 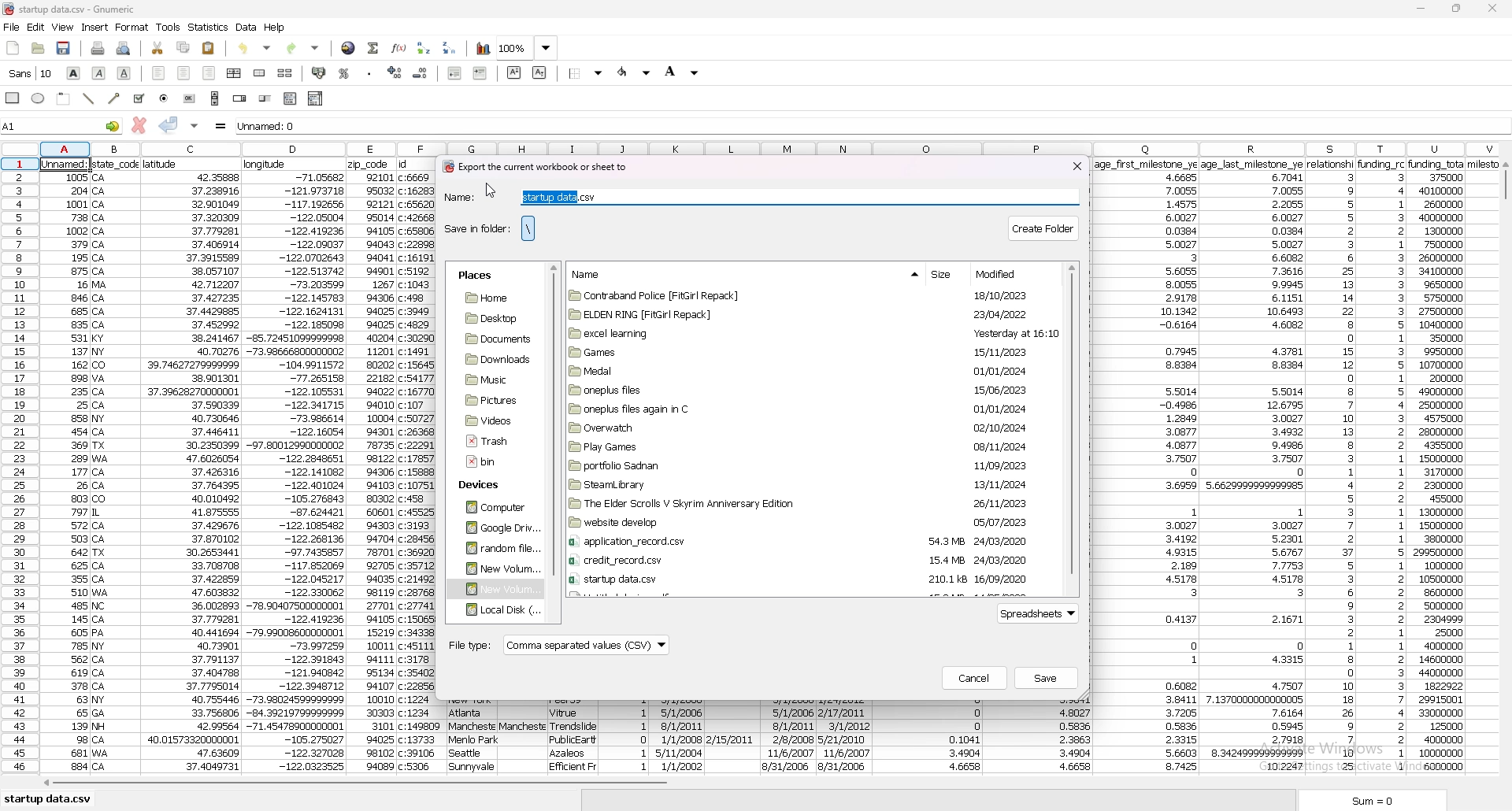 I want to click on foreground, so click(x=635, y=72).